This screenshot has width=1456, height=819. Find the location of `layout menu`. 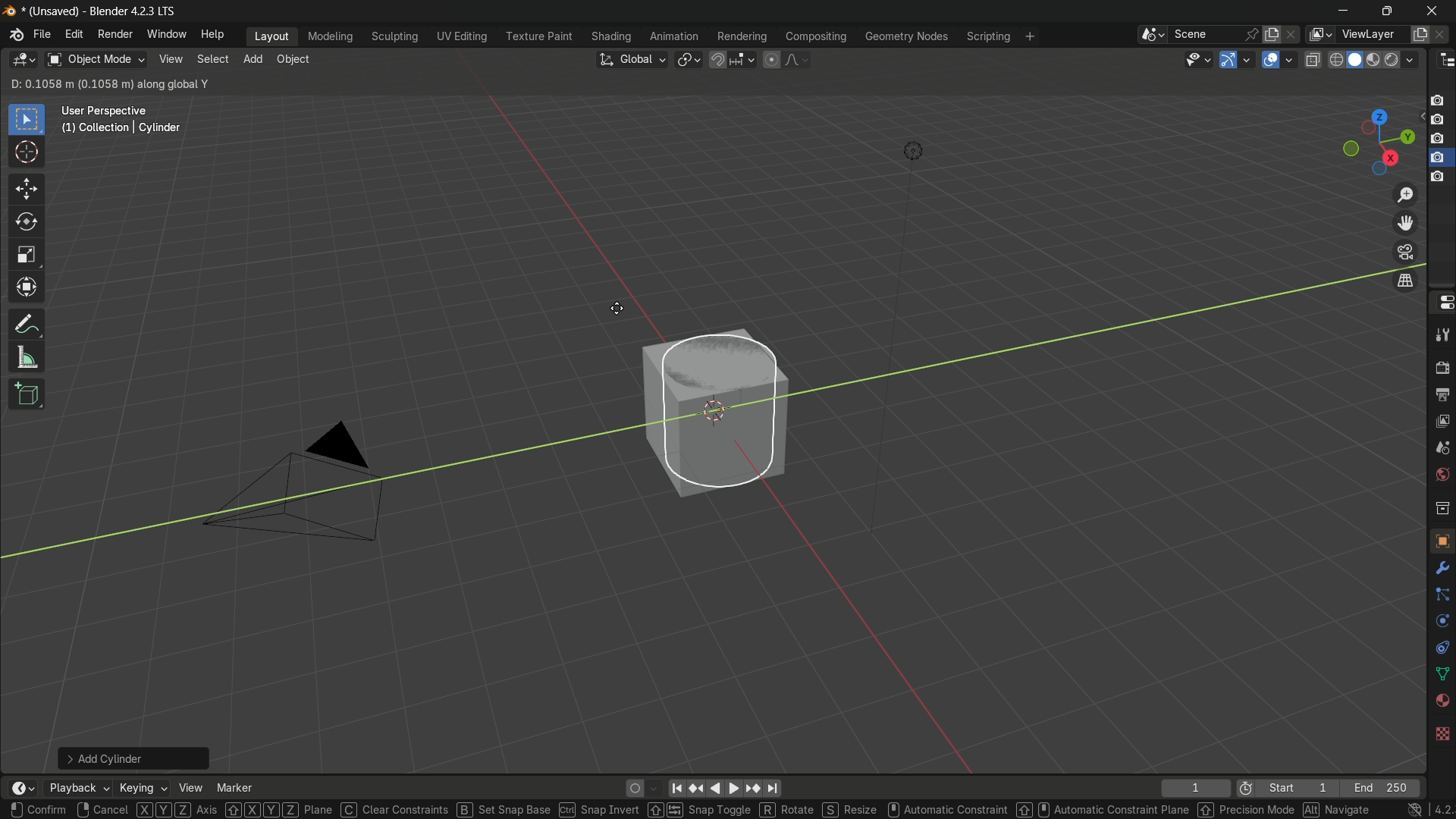

layout menu is located at coordinates (273, 37).